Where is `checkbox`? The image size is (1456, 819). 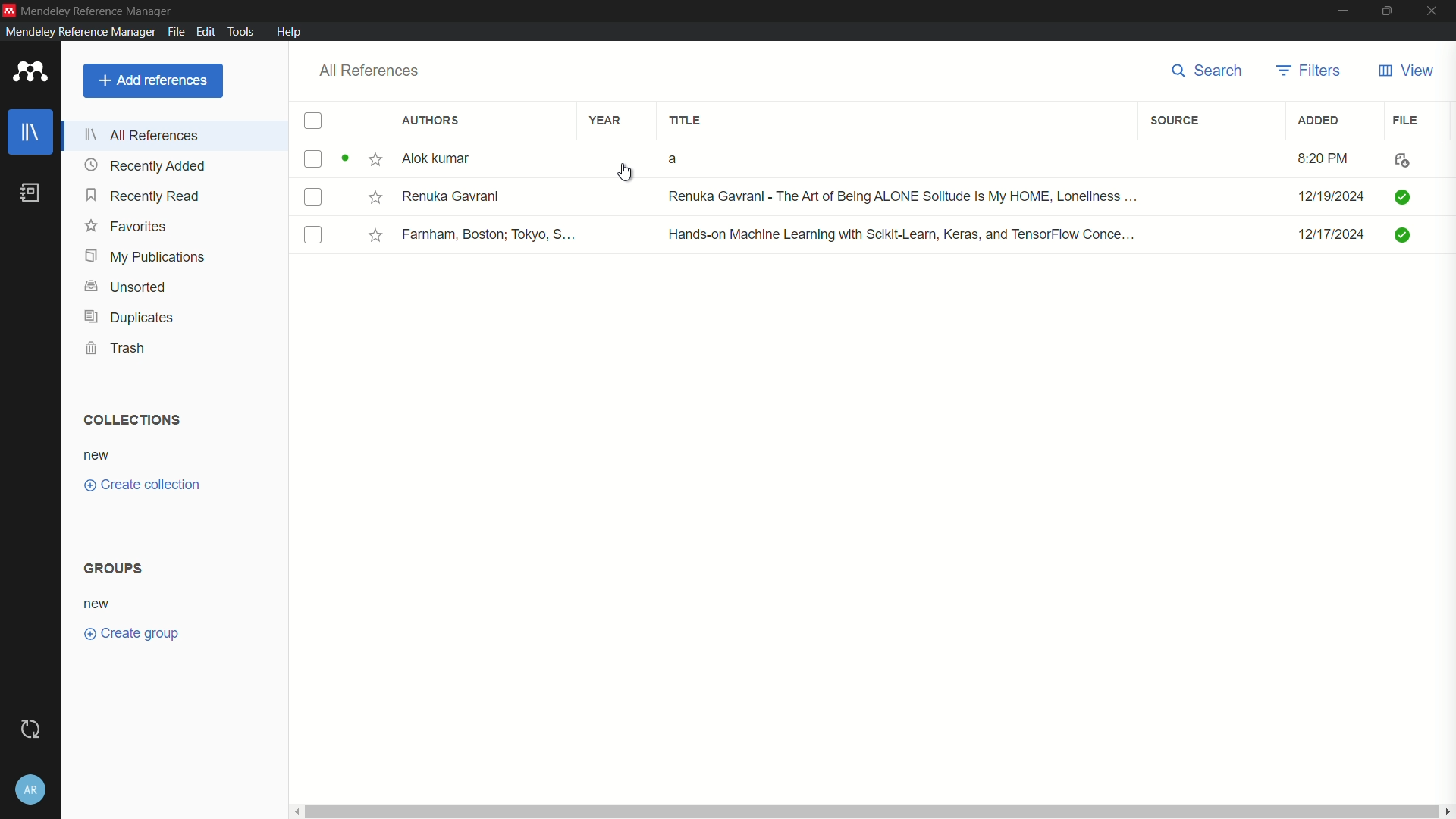 checkbox is located at coordinates (312, 121).